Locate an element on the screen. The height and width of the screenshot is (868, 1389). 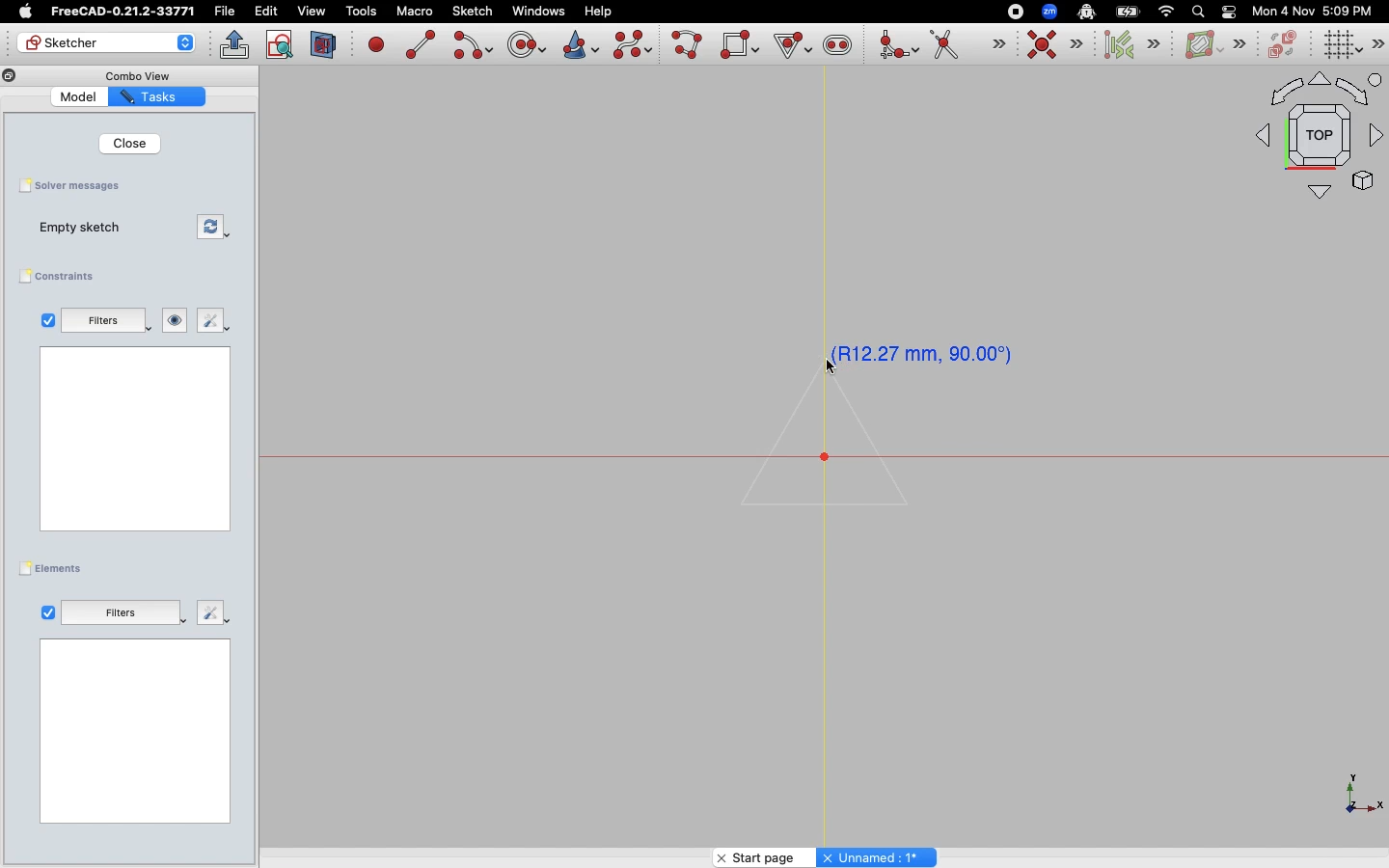
Tasks is located at coordinates (158, 97).